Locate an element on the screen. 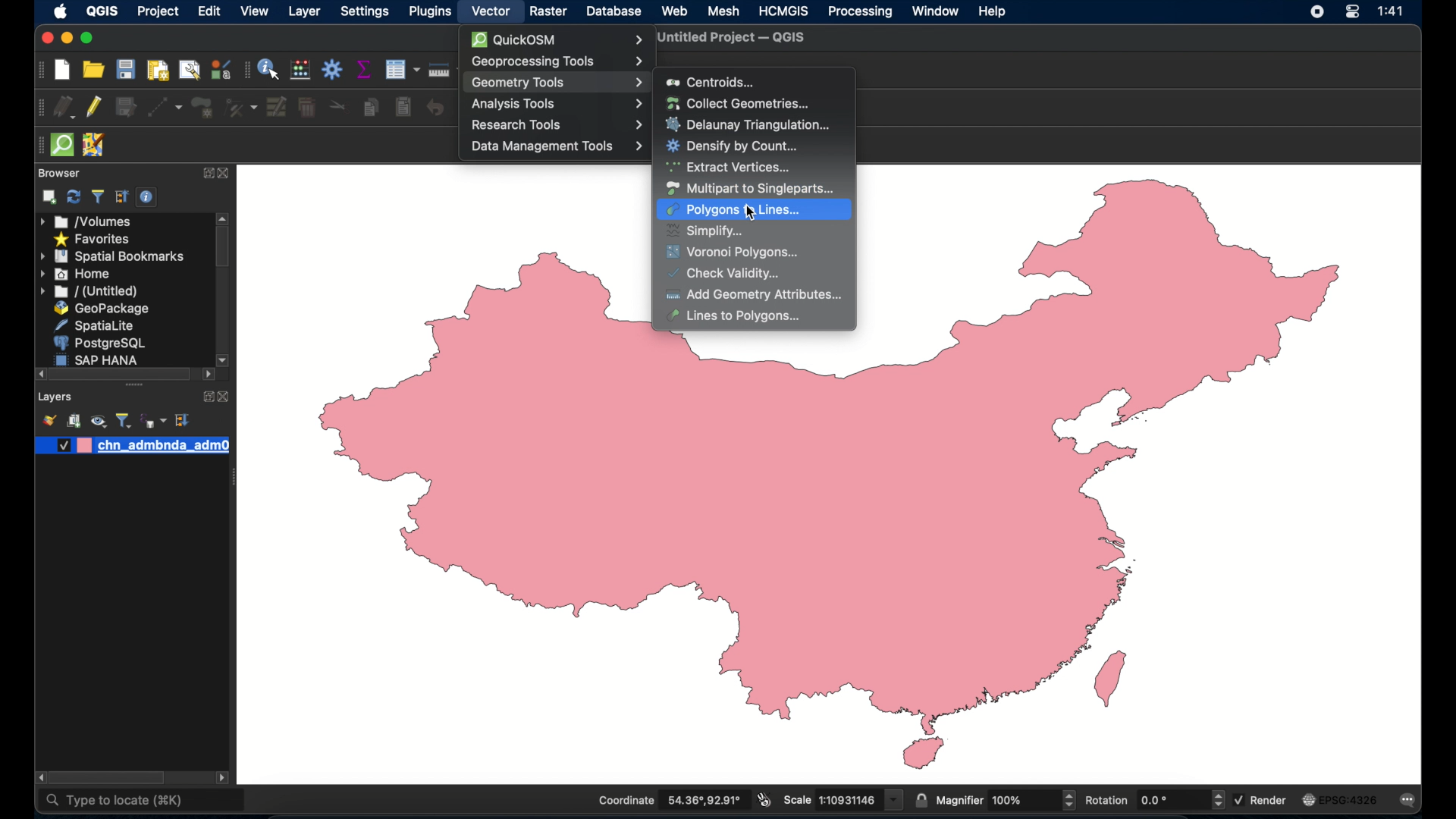 This screenshot has width=1456, height=819. delete selected is located at coordinates (306, 108).